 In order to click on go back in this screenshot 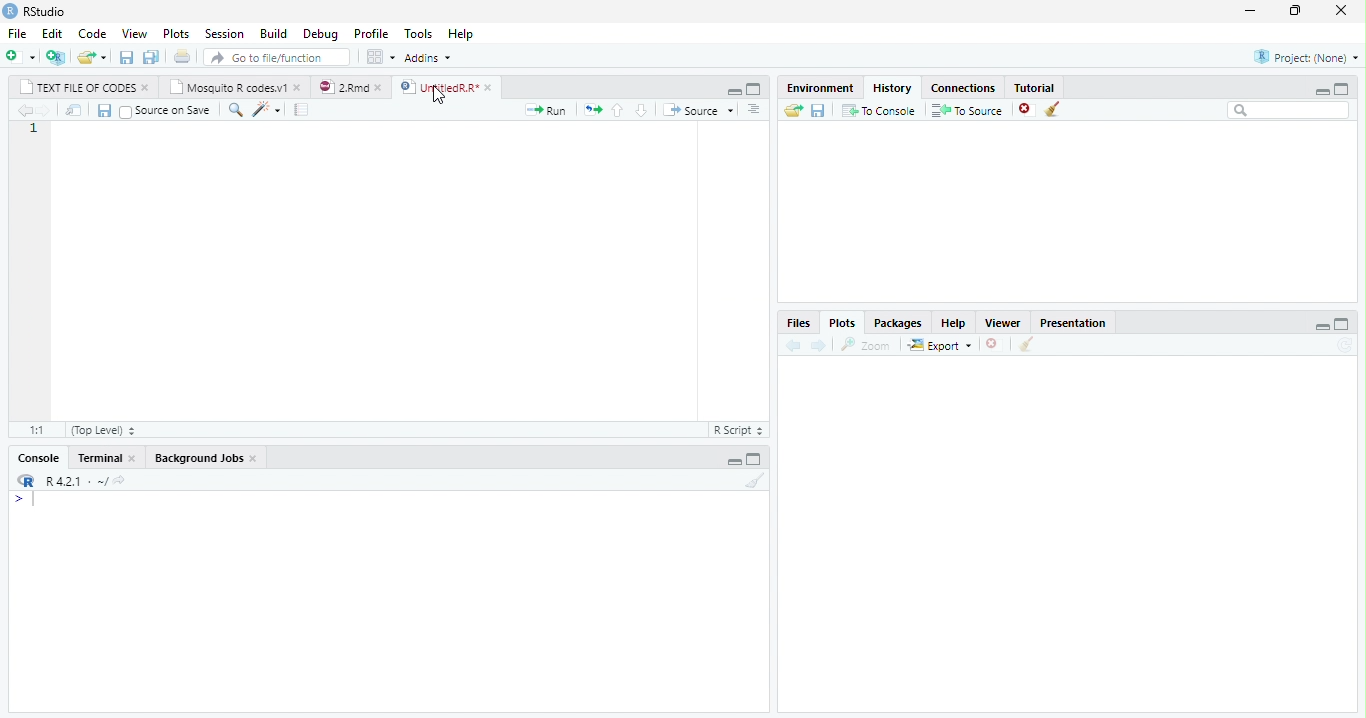, I will do `click(21, 110)`.